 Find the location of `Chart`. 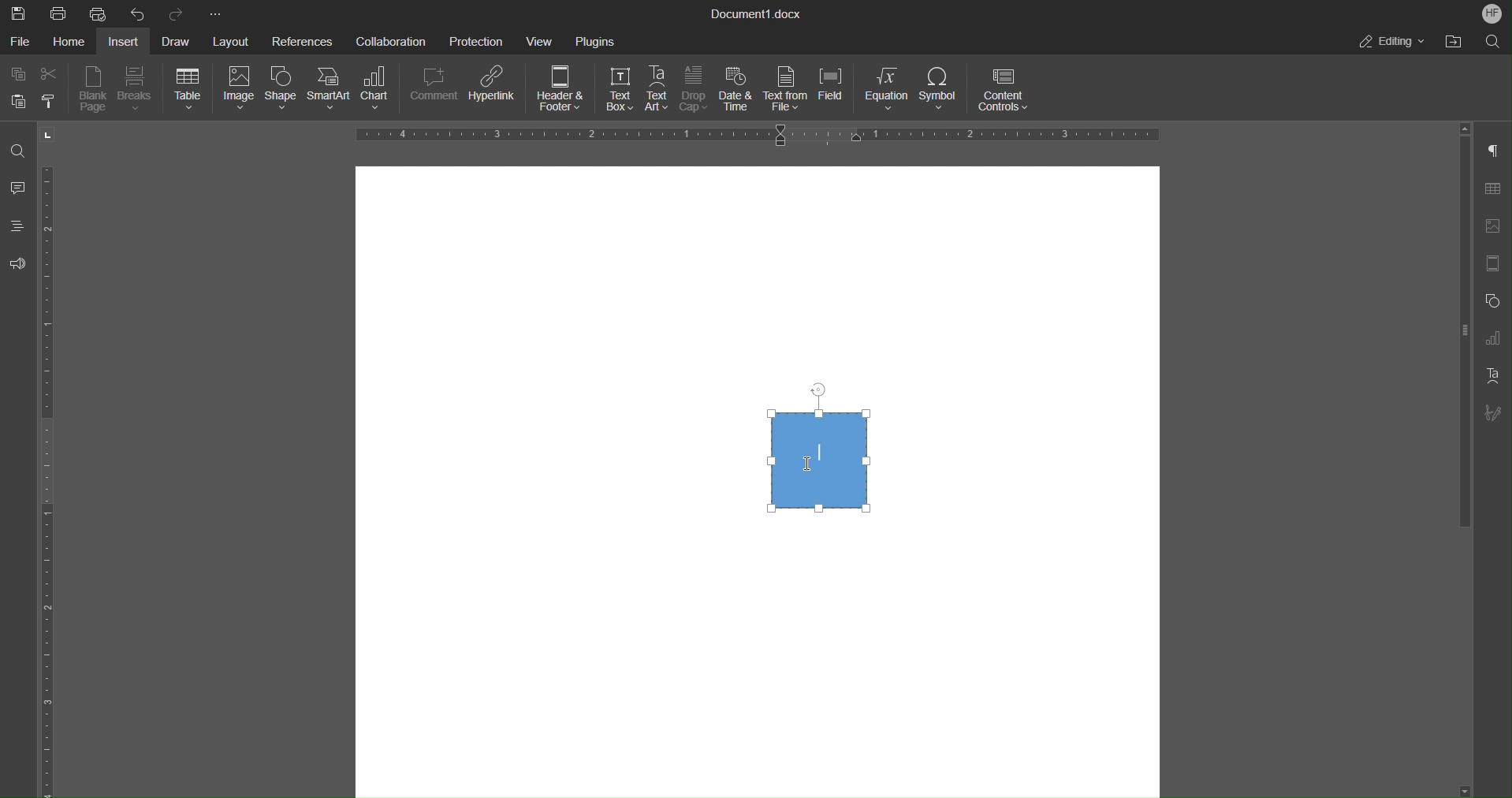

Chart is located at coordinates (382, 91).